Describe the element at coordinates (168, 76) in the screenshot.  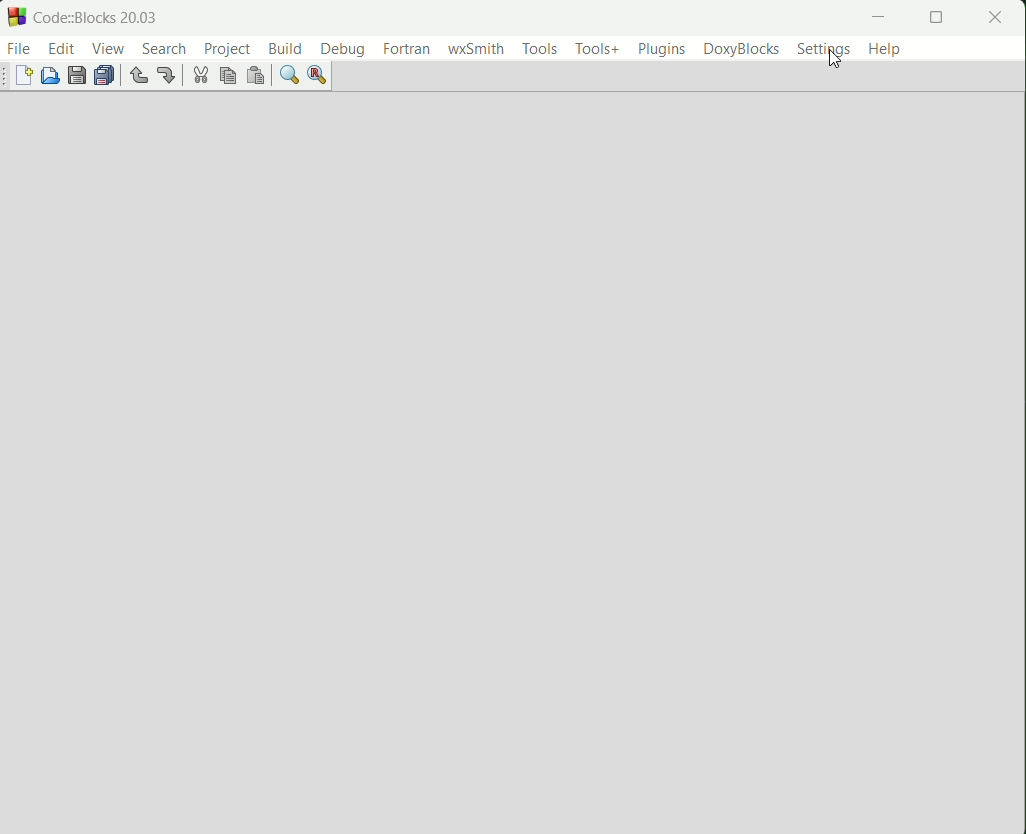
I see `redo` at that location.